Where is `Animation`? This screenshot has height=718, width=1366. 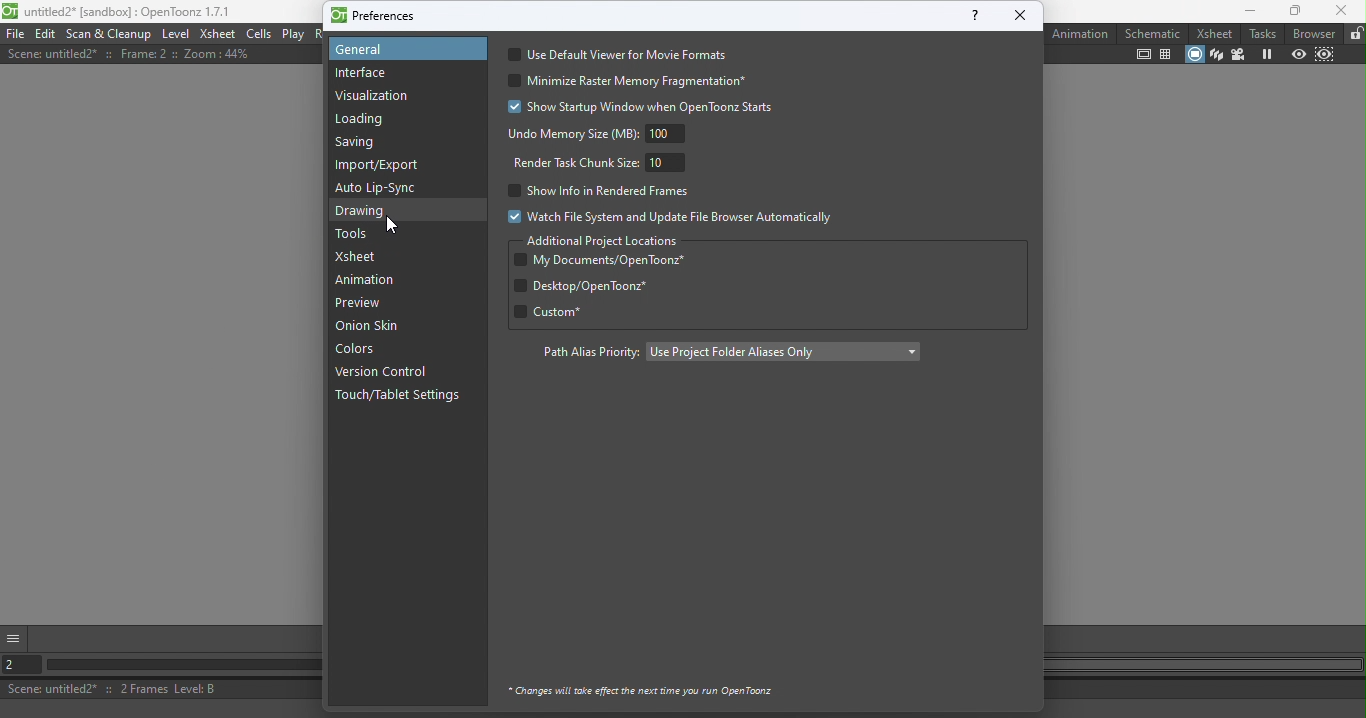
Animation is located at coordinates (369, 280).